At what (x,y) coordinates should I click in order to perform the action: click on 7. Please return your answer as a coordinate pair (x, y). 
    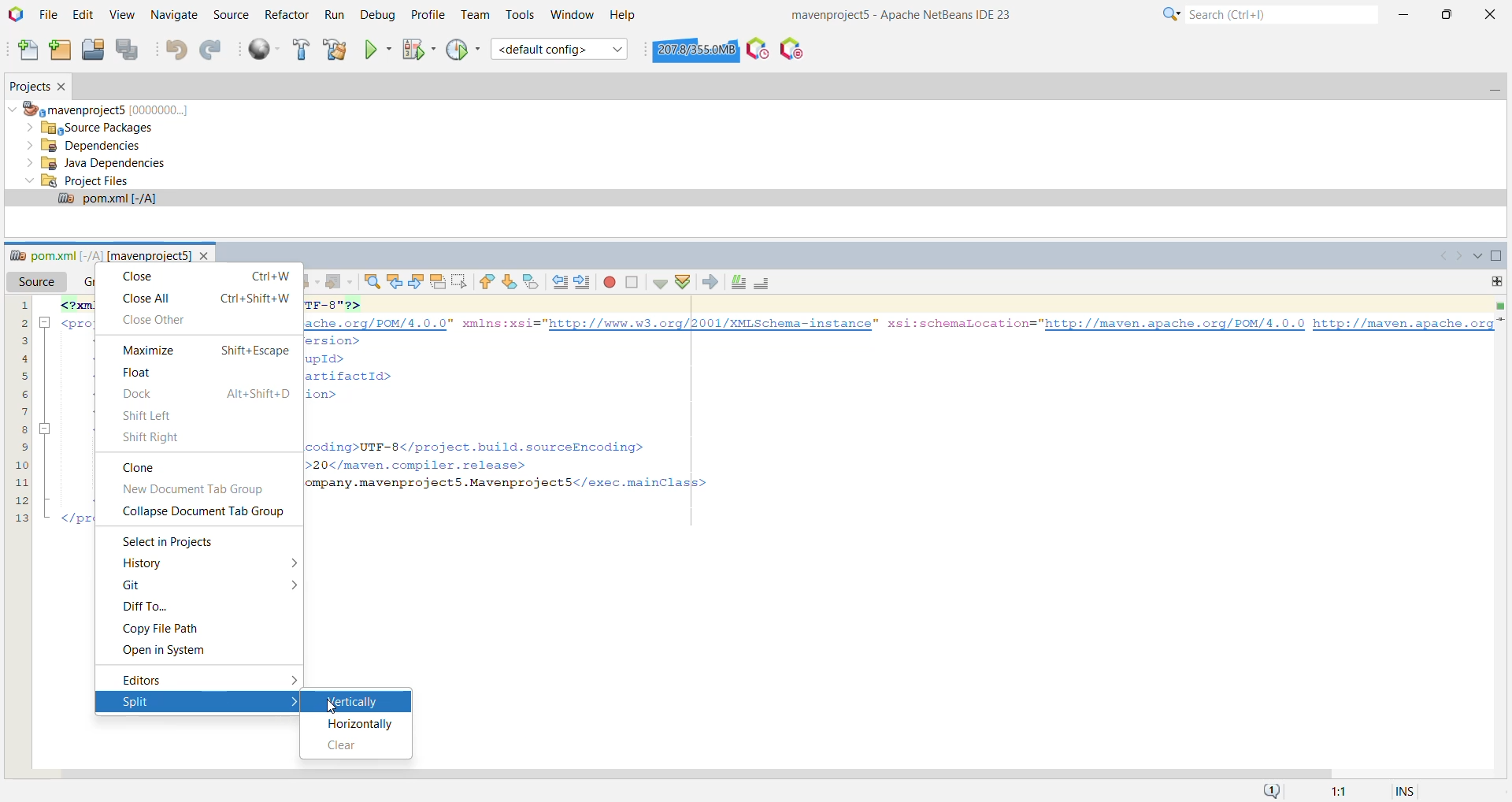
    Looking at the image, I should click on (23, 410).